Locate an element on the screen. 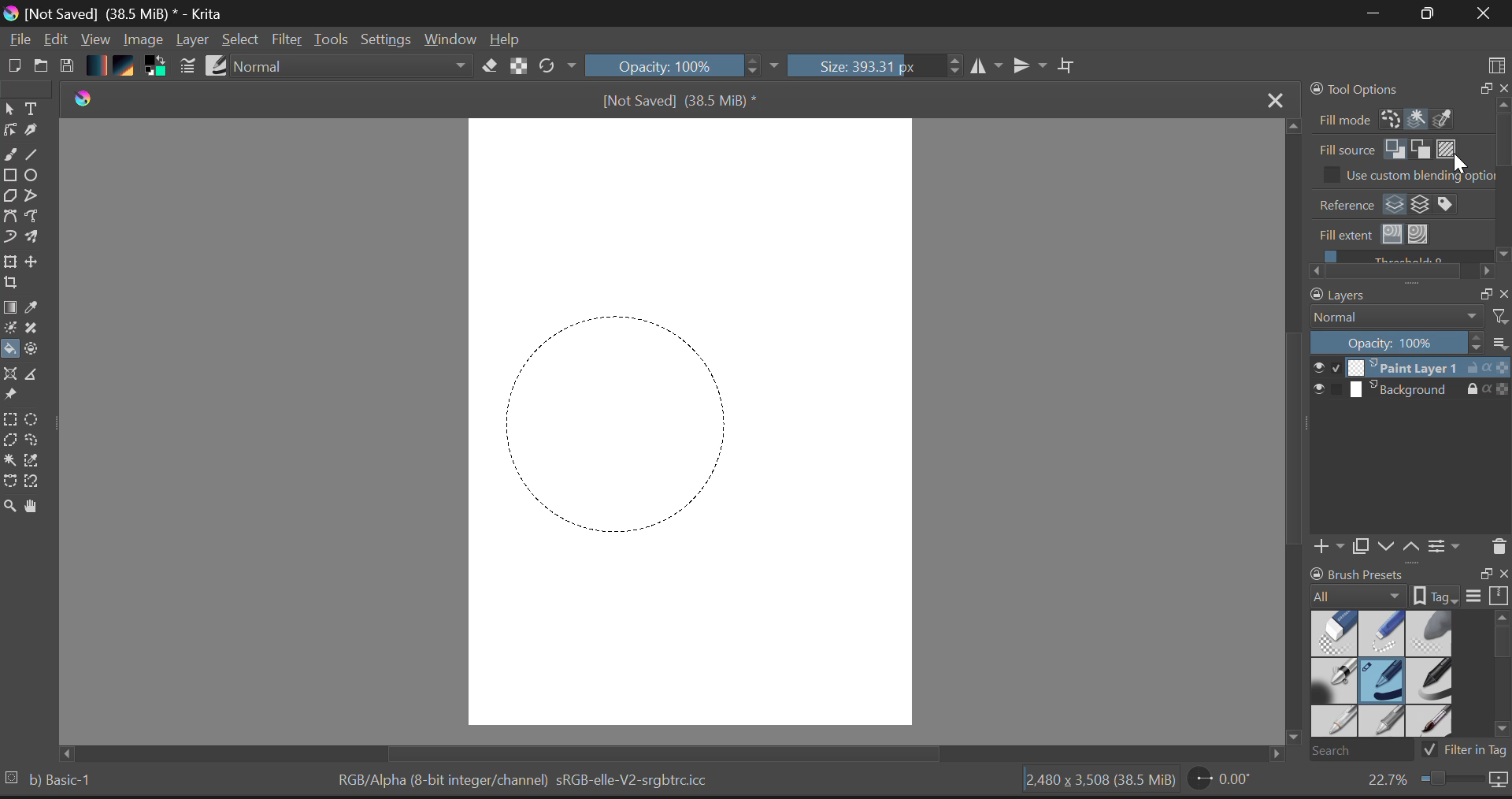 The image size is (1512, 799). Freehand Selection is located at coordinates (41, 442).